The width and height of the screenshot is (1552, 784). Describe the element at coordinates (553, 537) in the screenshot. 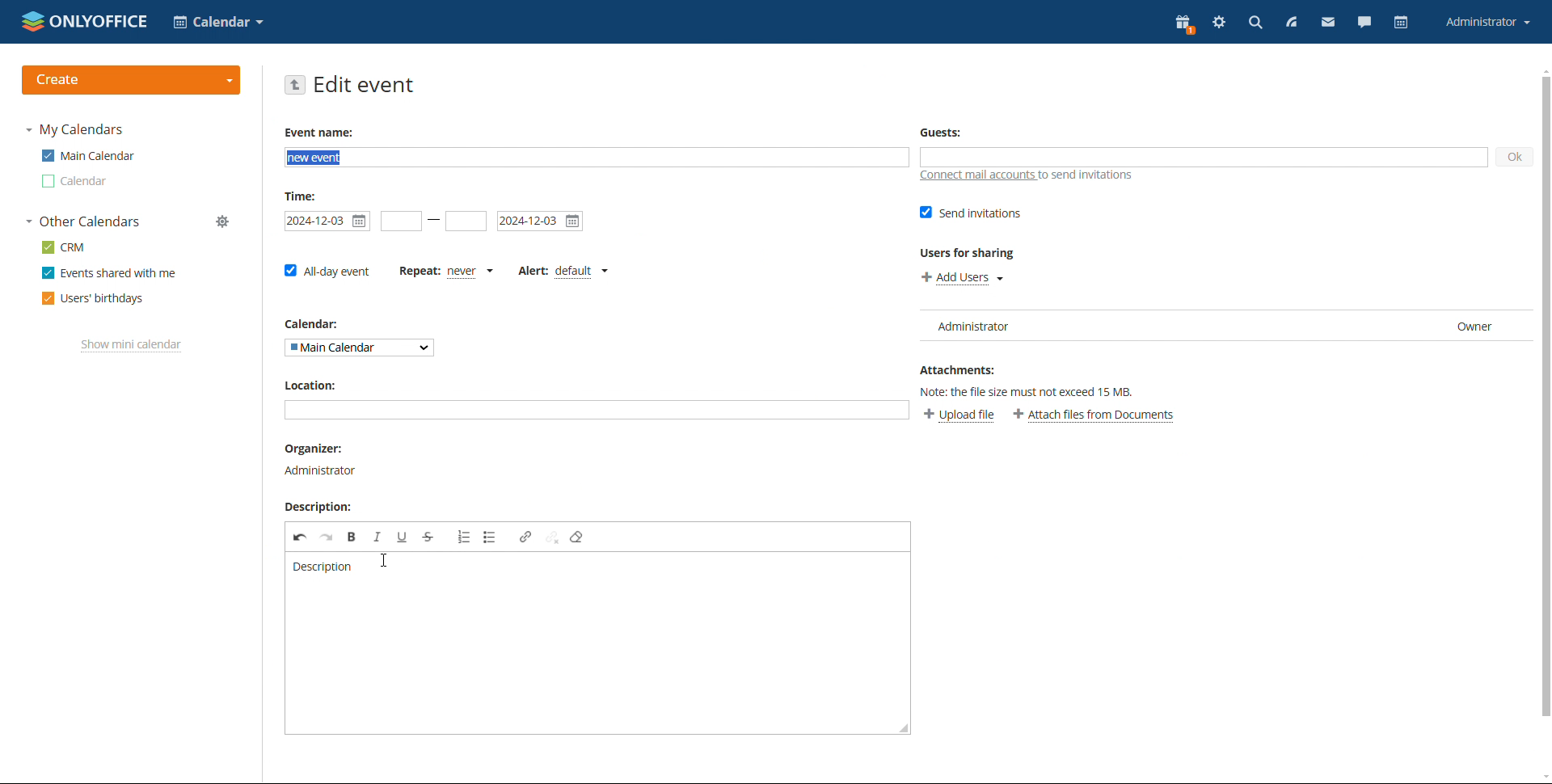

I see `unlink` at that location.